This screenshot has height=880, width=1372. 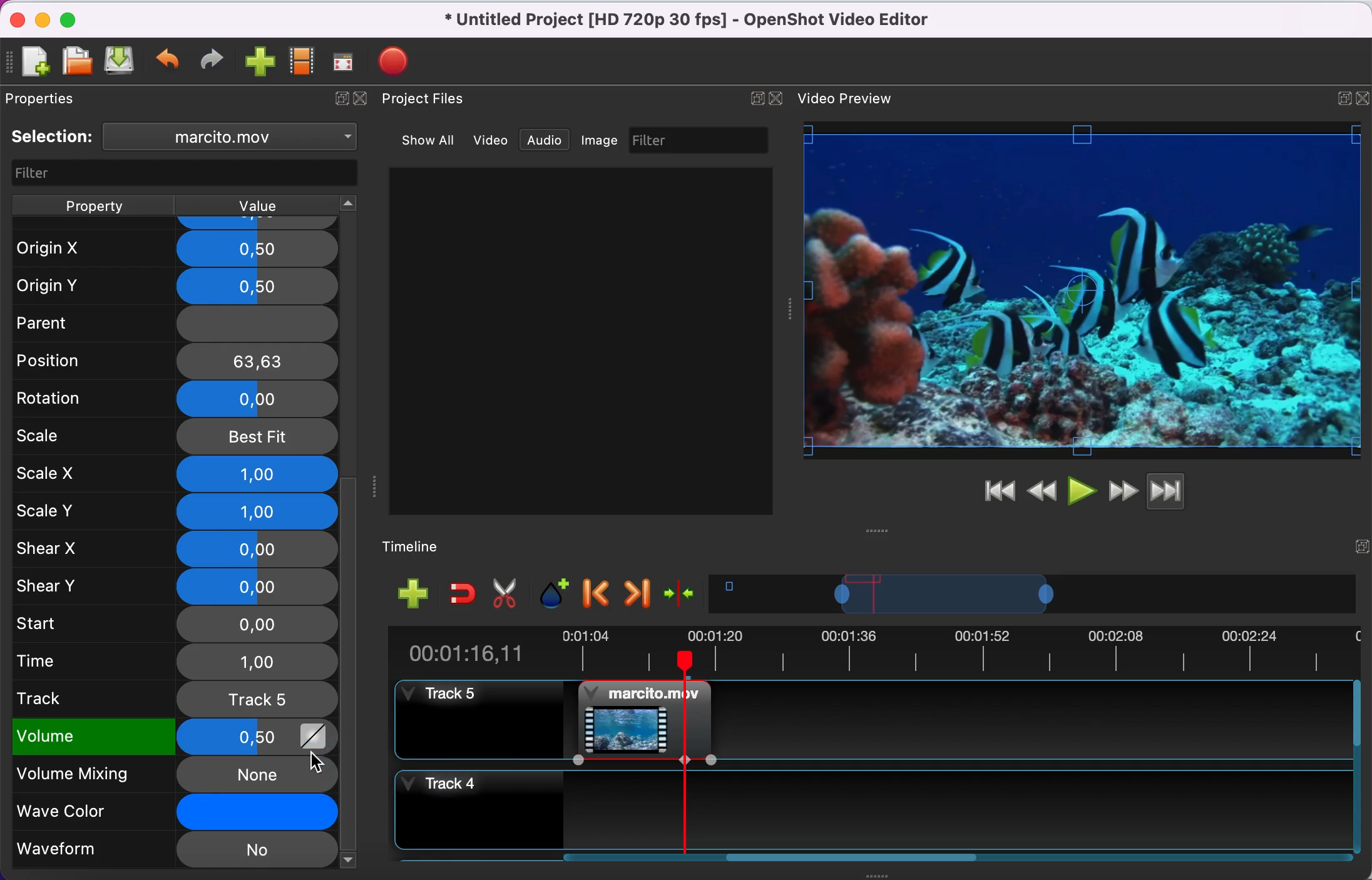 I want to click on undo, so click(x=170, y=62).